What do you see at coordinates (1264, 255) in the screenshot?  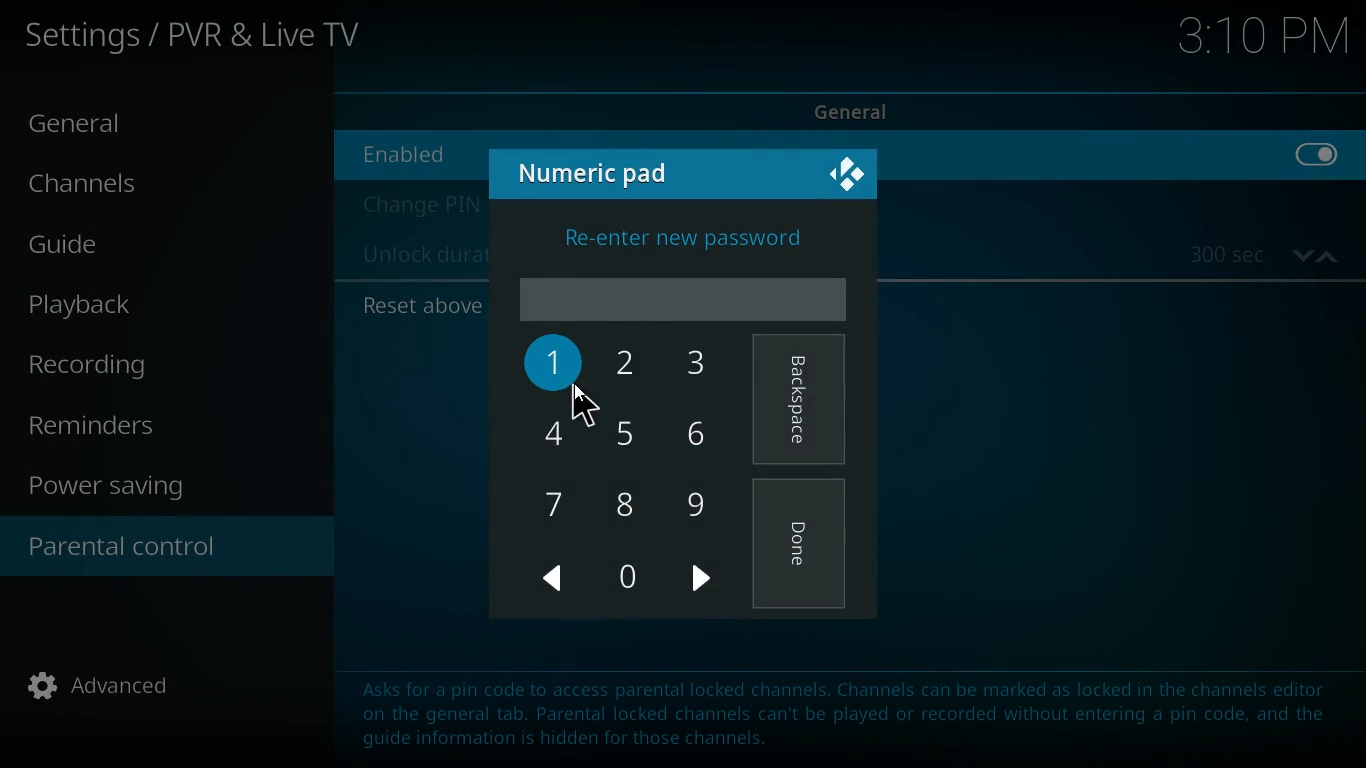 I see `time` at bounding box center [1264, 255].